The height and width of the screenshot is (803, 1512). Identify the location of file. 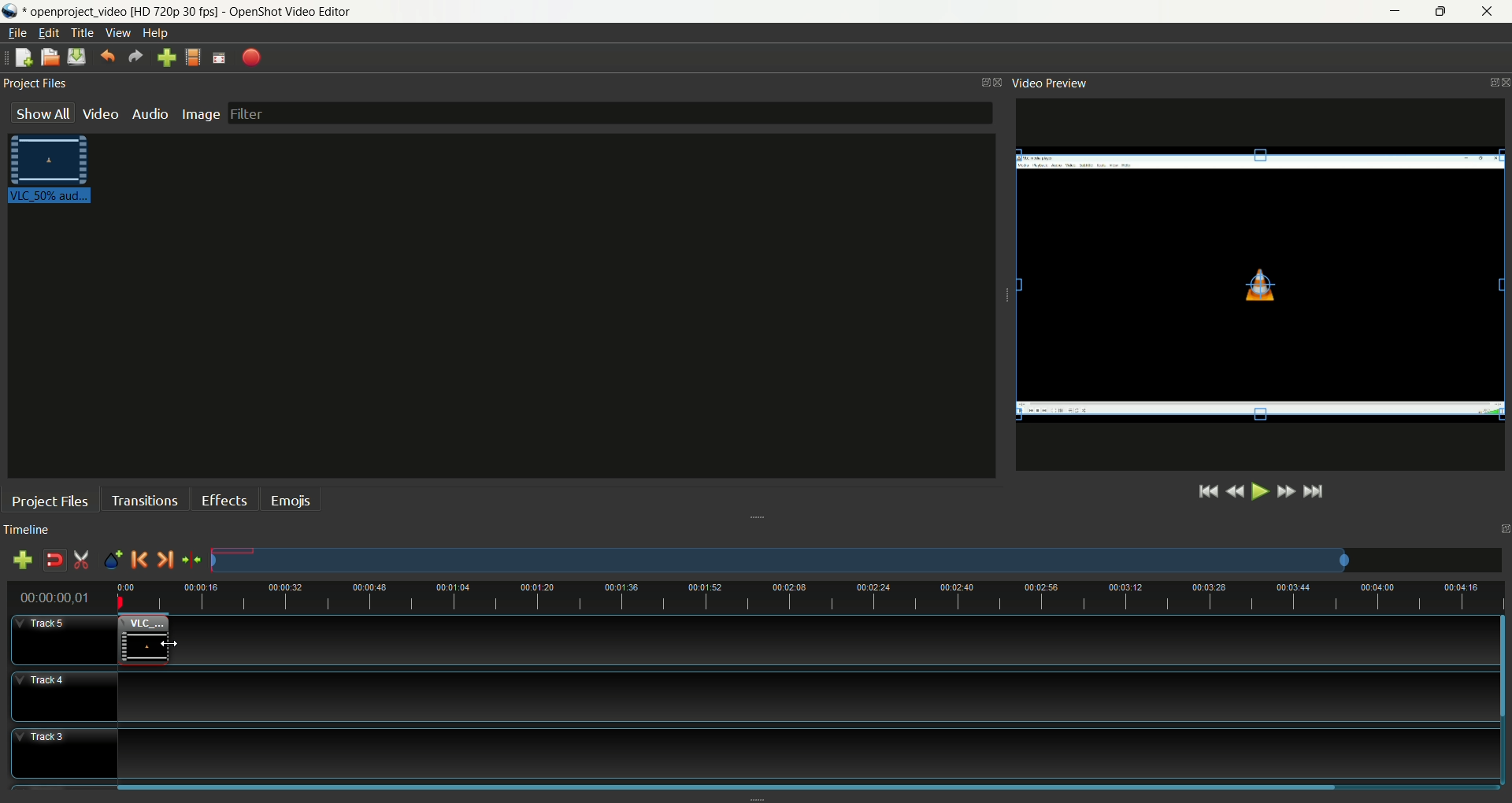
(22, 33).